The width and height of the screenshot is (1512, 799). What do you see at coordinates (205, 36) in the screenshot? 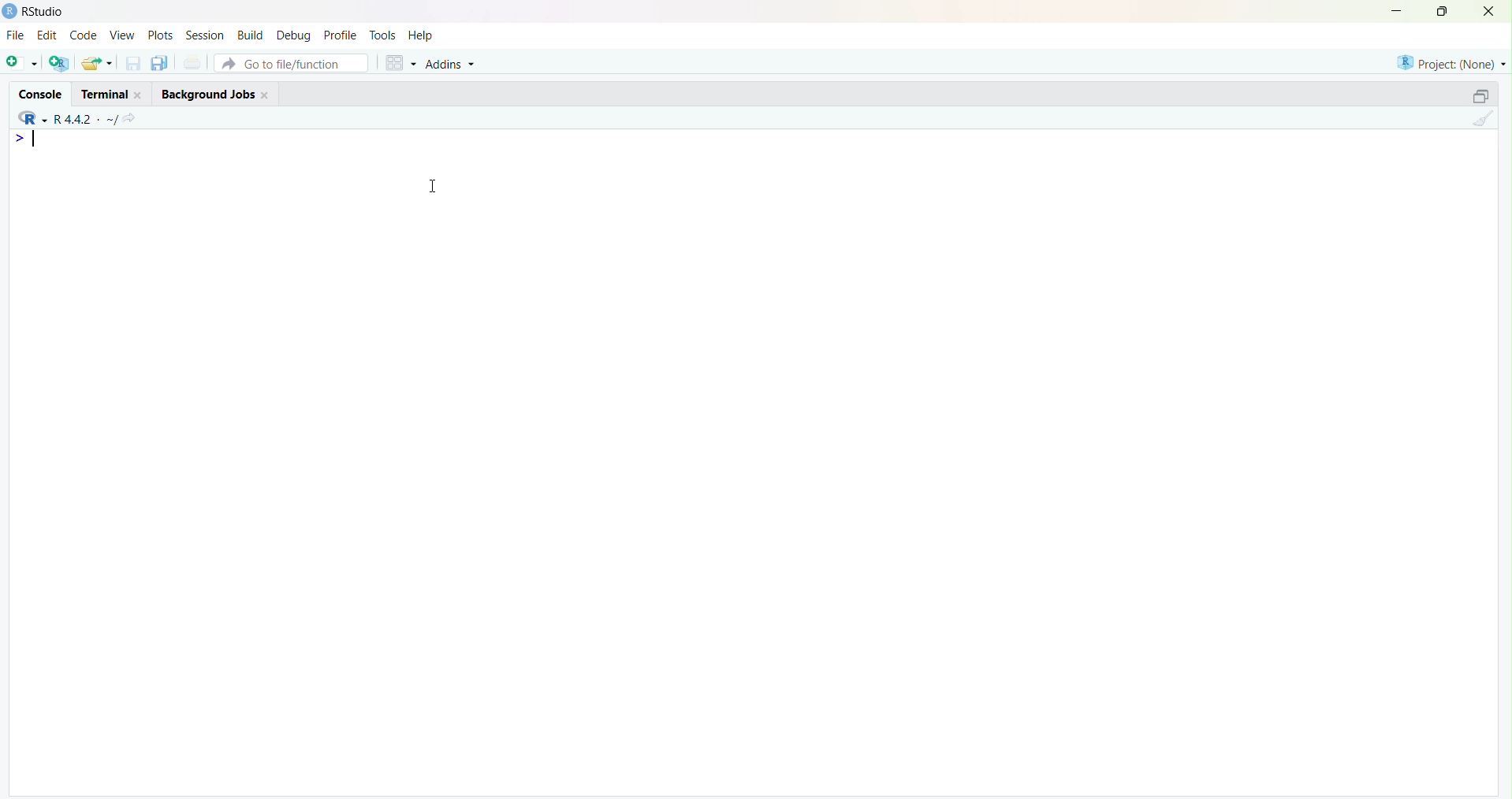
I see `Session` at bounding box center [205, 36].